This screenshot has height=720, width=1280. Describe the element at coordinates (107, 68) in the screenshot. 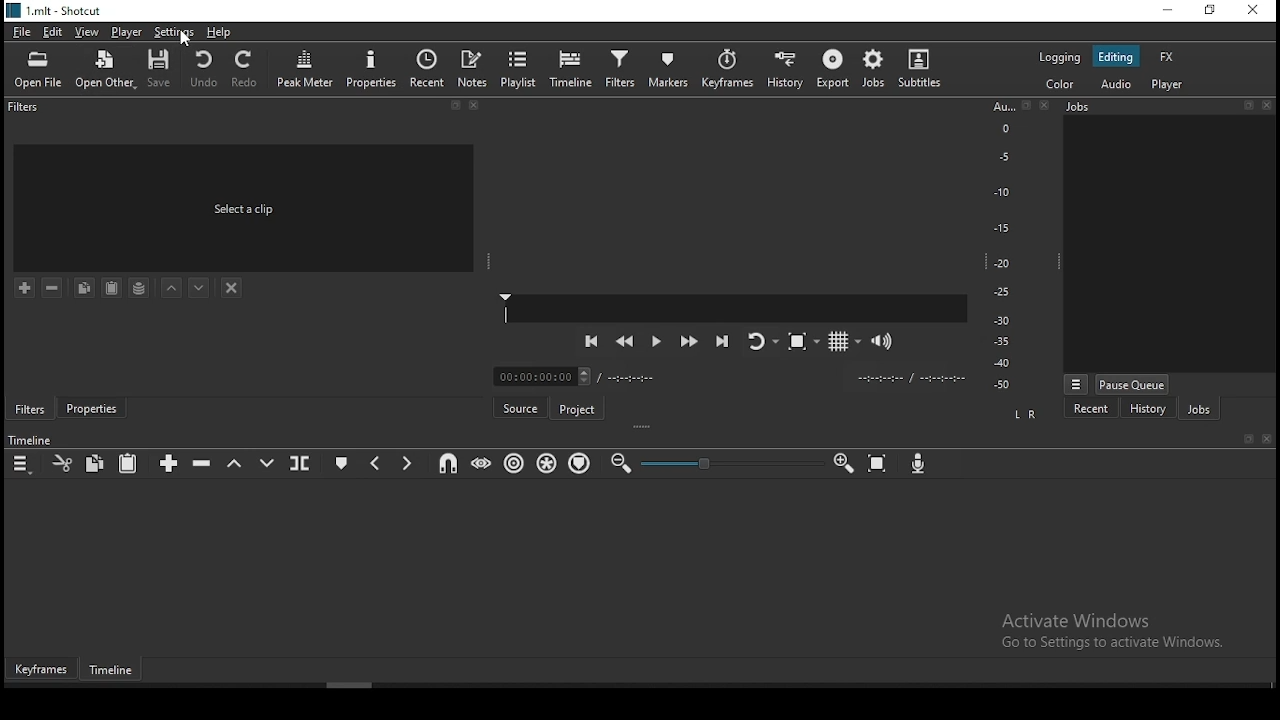

I see `open other` at that location.